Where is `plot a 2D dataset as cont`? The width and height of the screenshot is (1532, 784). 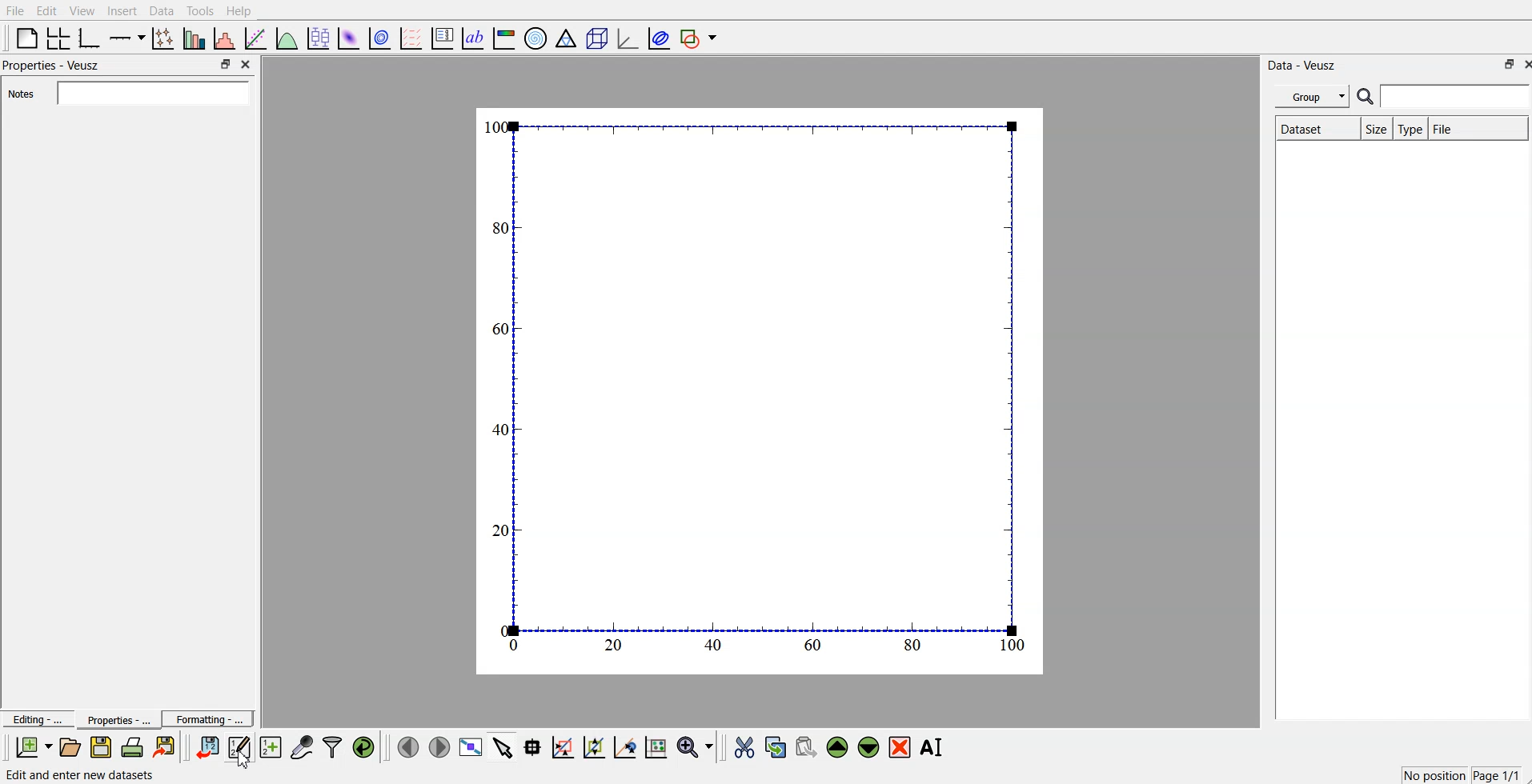
plot a 2D dataset as cont is located at coordinates (381, 38).